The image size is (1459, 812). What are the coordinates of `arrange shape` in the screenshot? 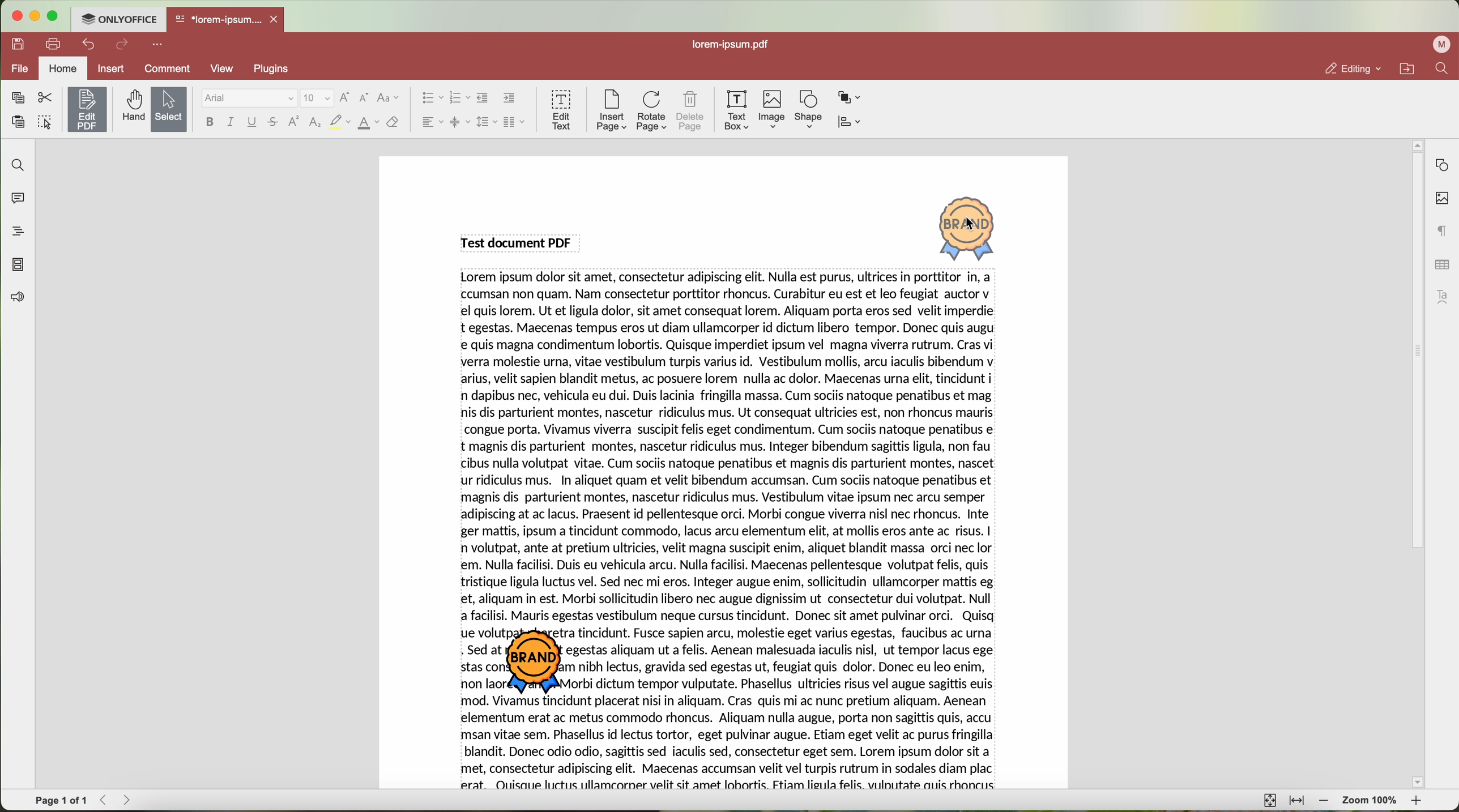 It's located at (850, 98).